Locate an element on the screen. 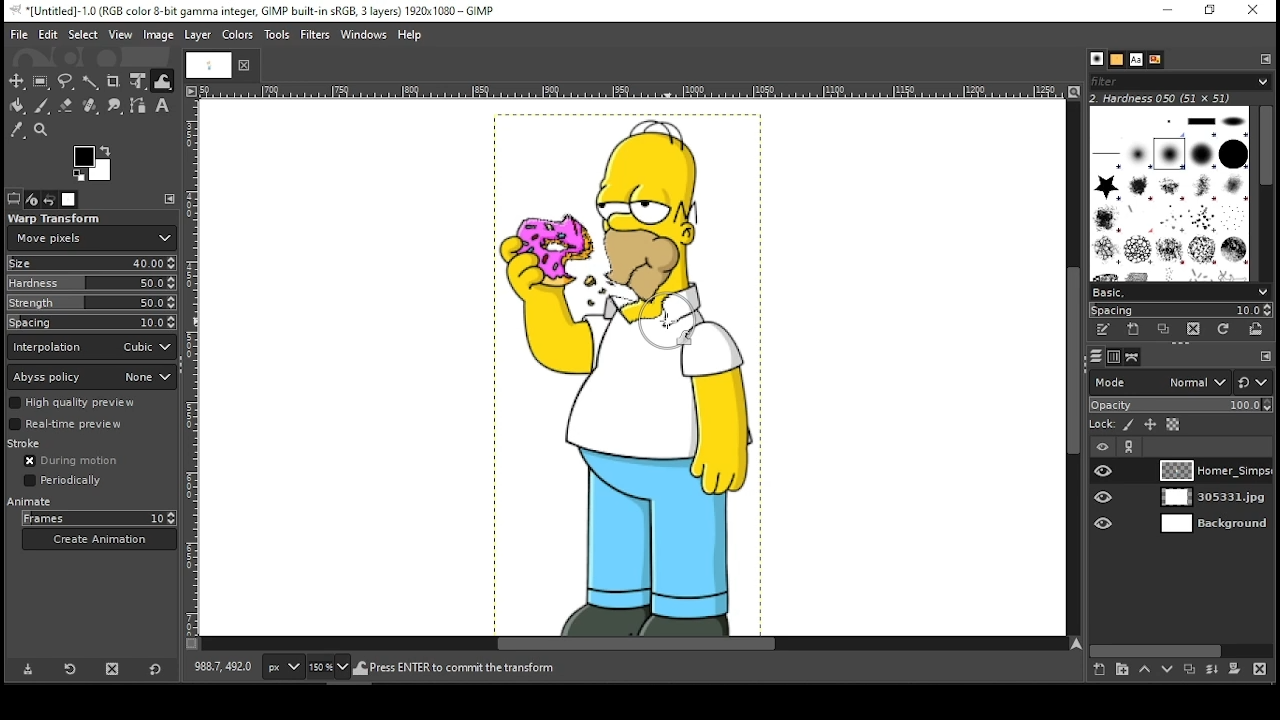 Image resolution: width=1280 pixels, height=720 pixels. high quality preview is located at coordinates (93, 402).